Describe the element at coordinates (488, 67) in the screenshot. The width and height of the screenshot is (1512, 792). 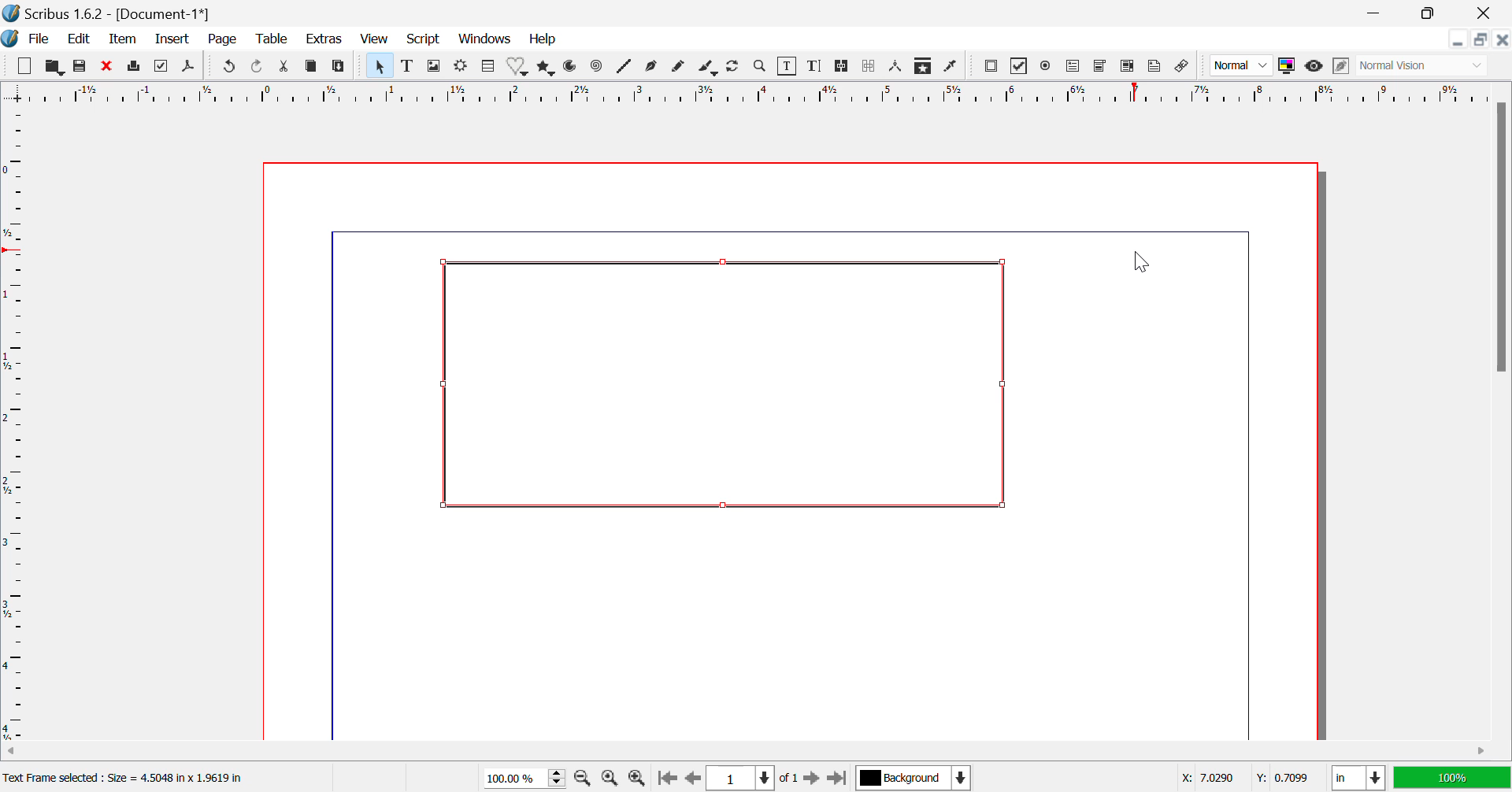
I see `Table` at that location.